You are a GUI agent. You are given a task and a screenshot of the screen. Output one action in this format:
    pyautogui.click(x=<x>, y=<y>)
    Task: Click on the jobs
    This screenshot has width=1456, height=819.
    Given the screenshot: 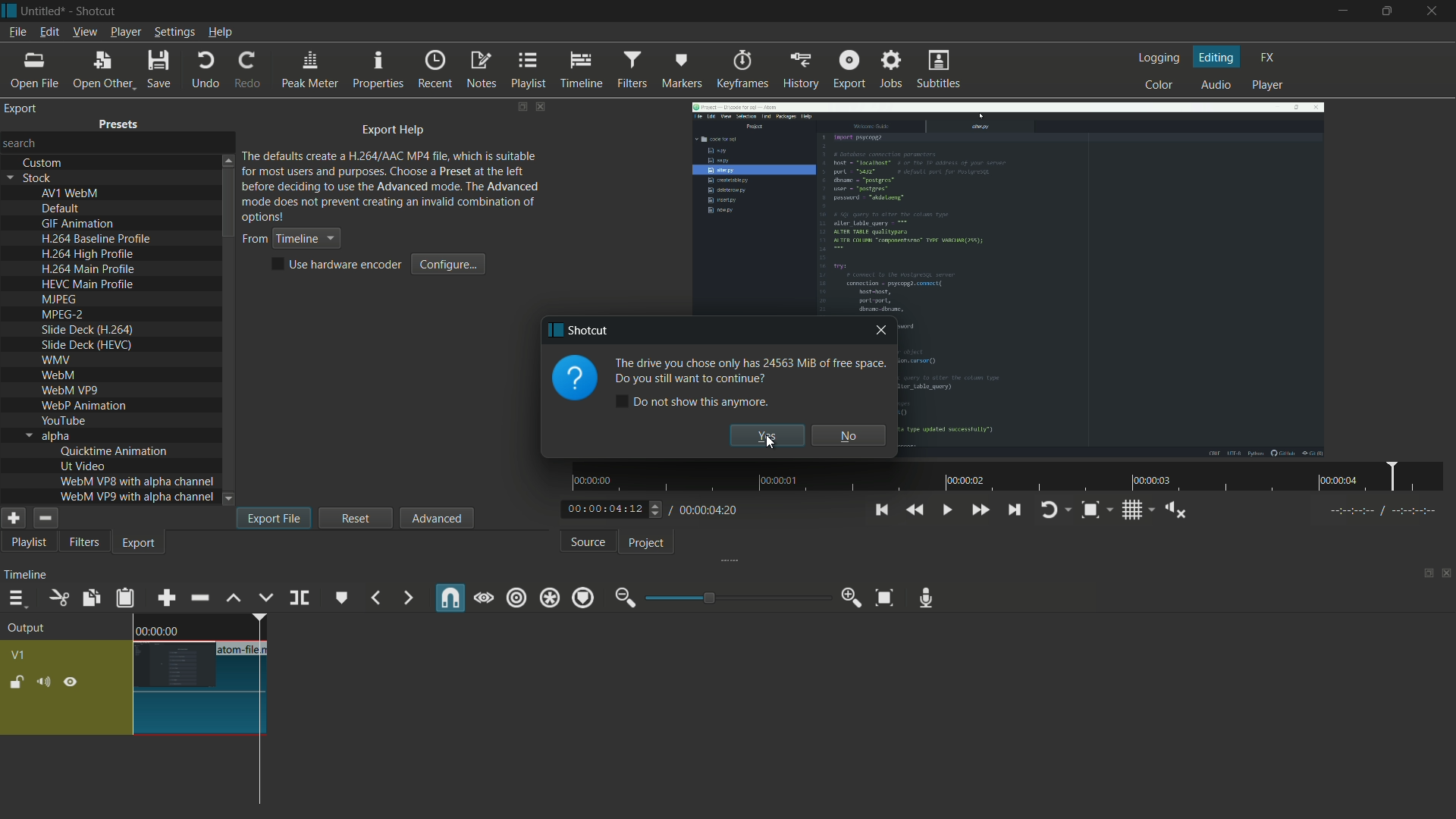 What is the action you would take?
    pyautogui.click(x=893, y=70)
    